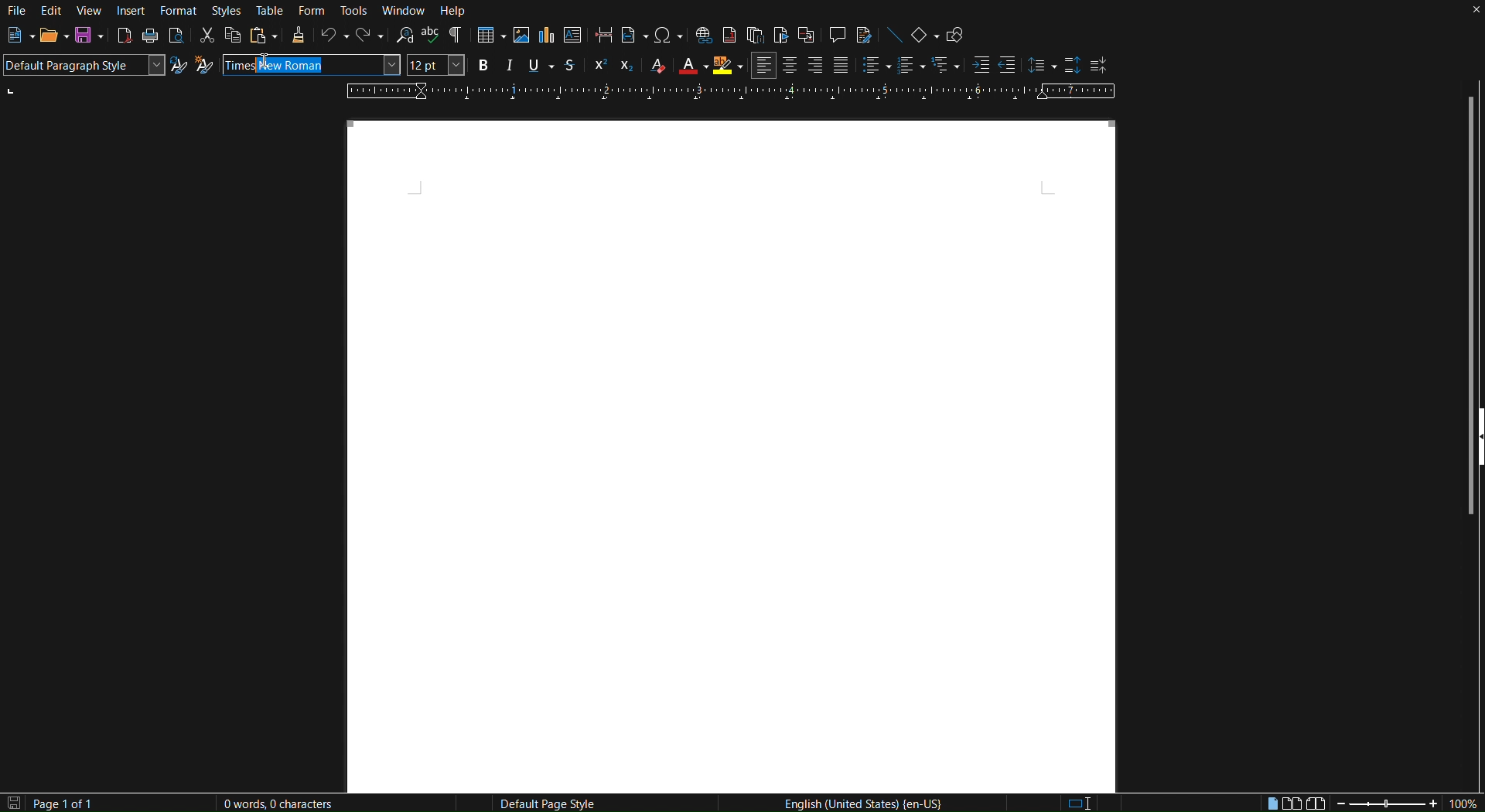 The width and height of the screenshot is (1485, 812). Describe the element at coordinates (1271, 801) in the screenshot. I see `Single page view` at that location.